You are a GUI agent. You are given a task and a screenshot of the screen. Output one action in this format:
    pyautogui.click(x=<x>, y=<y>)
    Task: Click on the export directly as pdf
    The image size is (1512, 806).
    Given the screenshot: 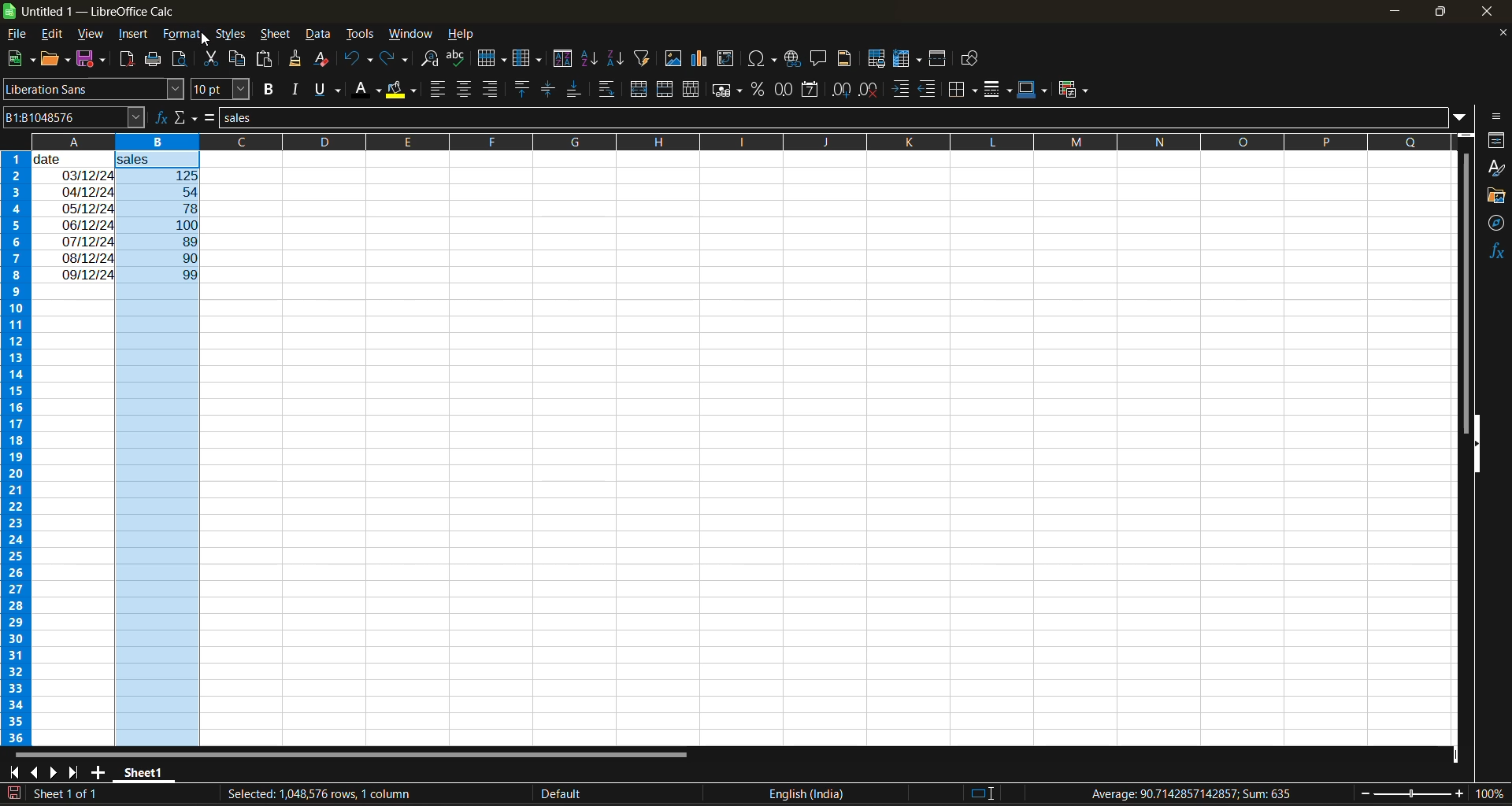 What is the action you would take?
    pyautogui.click(x=128, y=59)
    